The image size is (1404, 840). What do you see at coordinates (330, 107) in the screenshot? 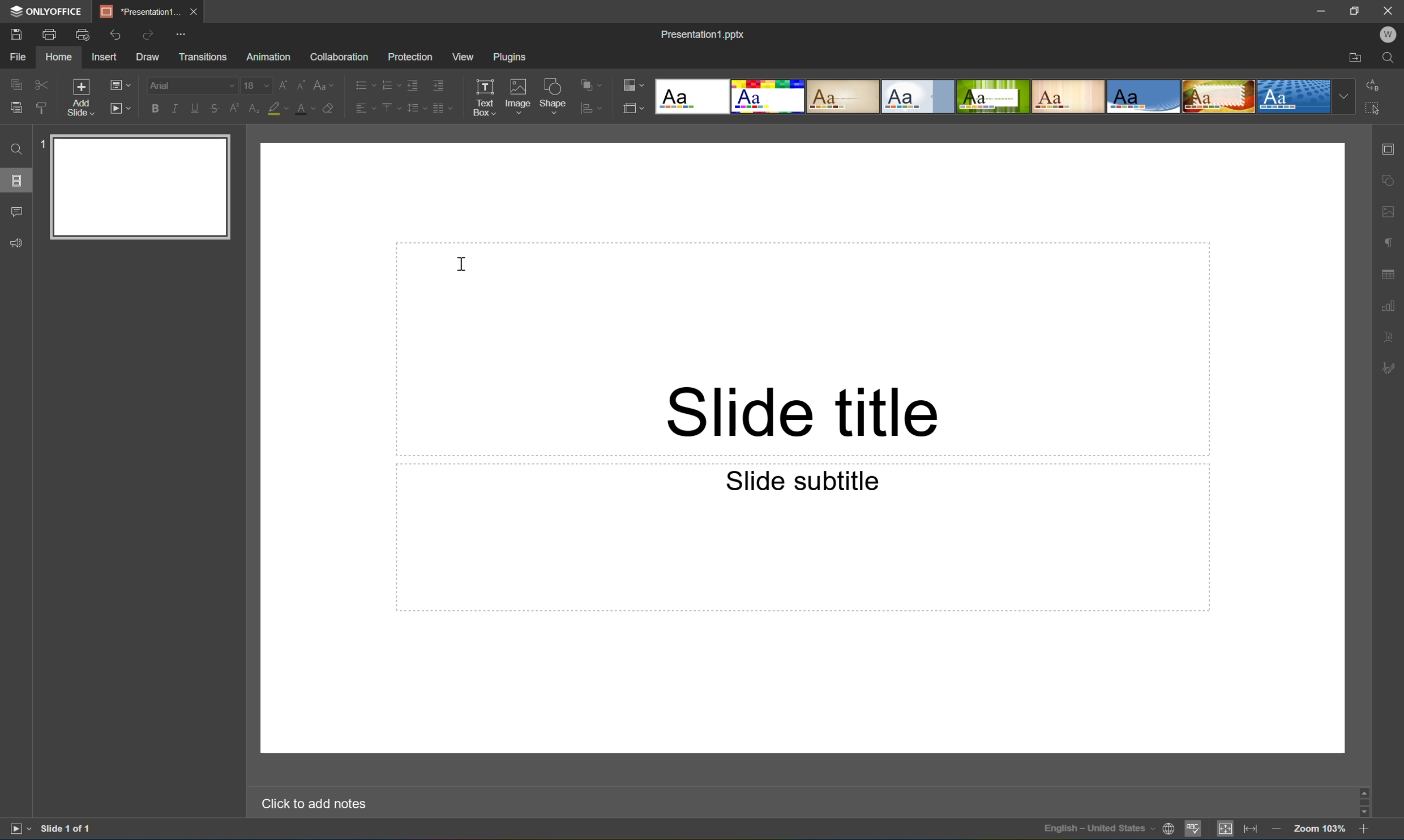
I see `Clear style` at bounding box center [330, 107].